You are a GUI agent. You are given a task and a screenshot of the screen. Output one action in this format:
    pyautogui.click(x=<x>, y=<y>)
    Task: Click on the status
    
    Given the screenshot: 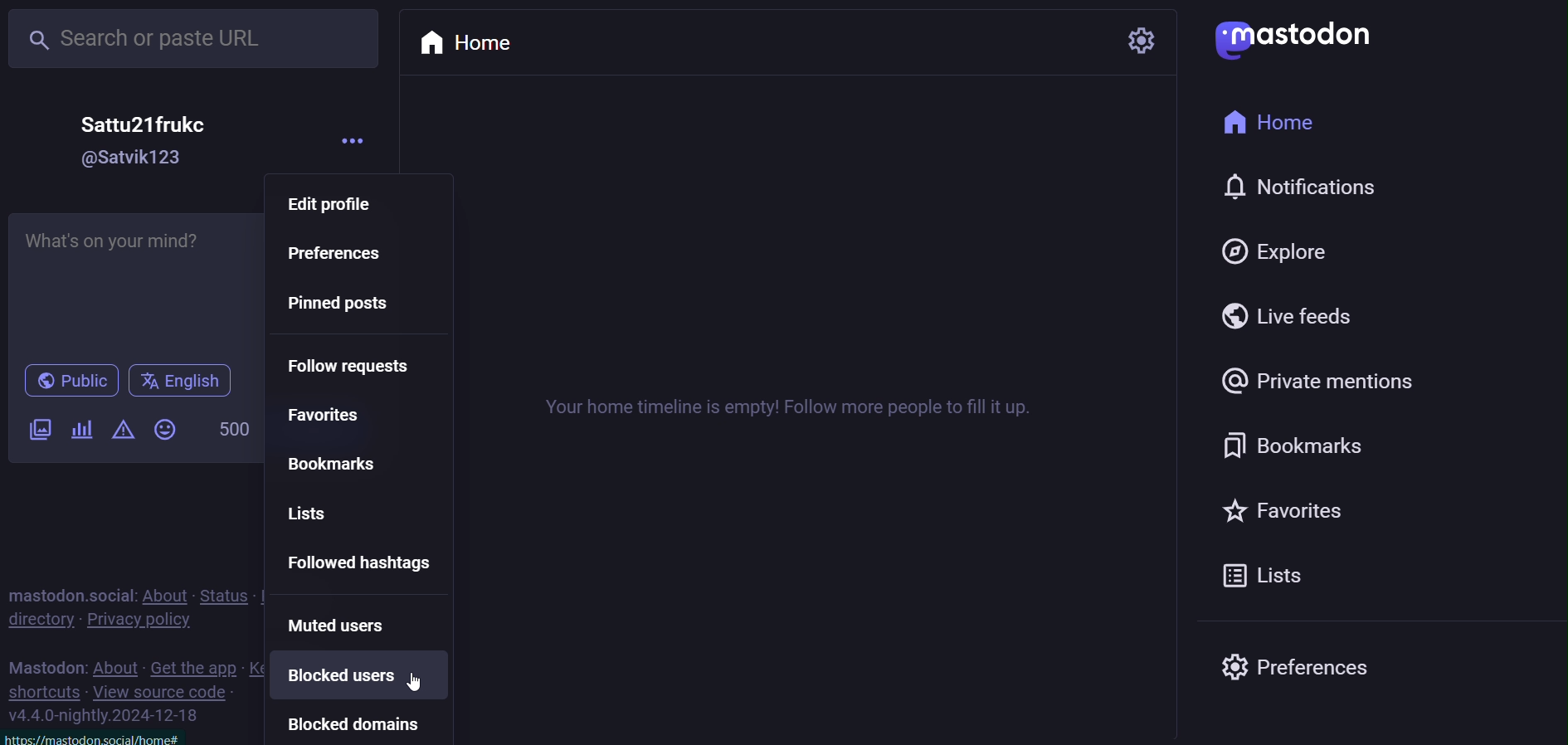 What is the action you would take?
    pyautogui.click(x=227, y=587)
    